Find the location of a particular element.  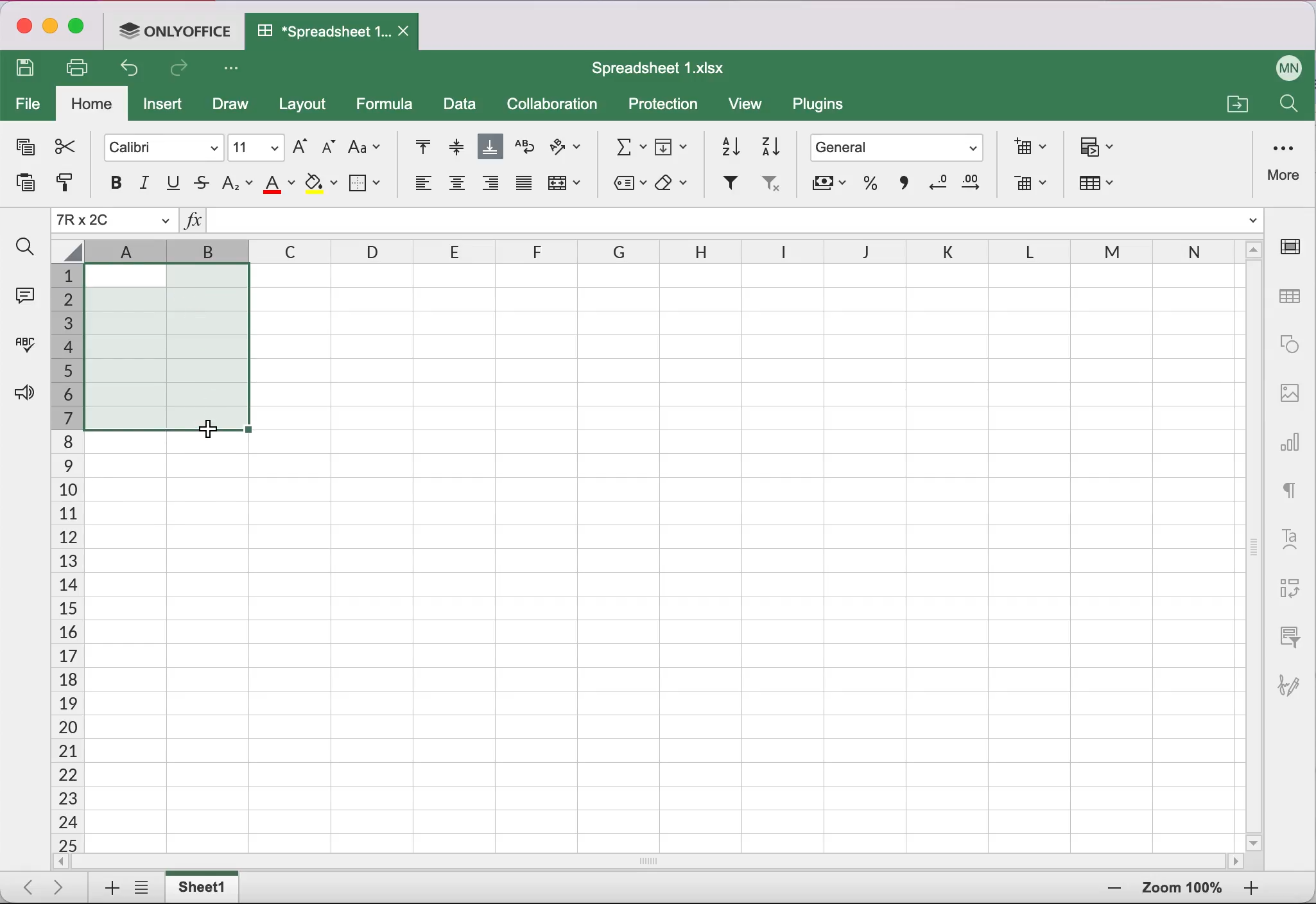

align left is located at coordinates (420, 187).